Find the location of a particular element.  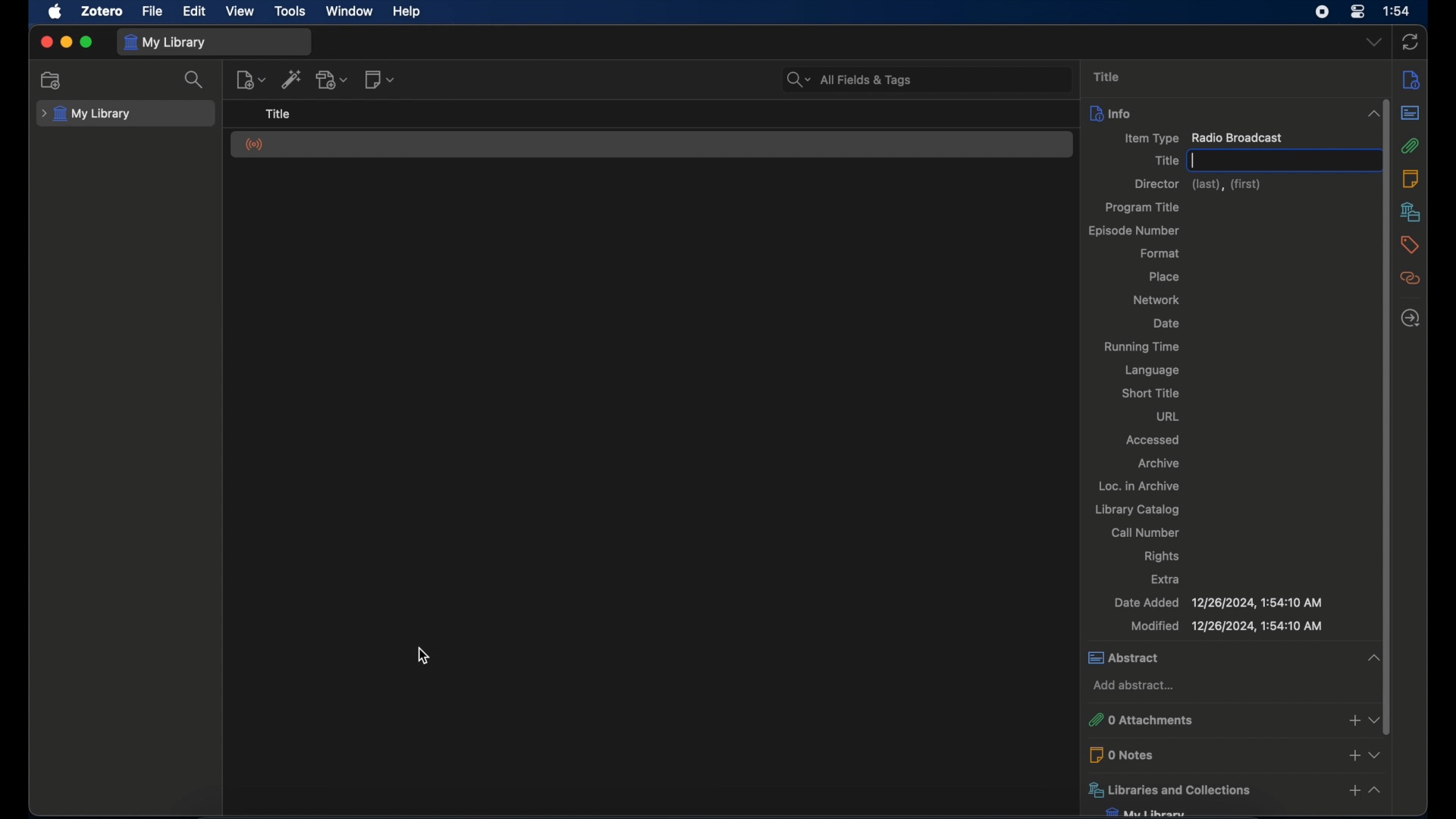

file is located at coordinates (153, 10).